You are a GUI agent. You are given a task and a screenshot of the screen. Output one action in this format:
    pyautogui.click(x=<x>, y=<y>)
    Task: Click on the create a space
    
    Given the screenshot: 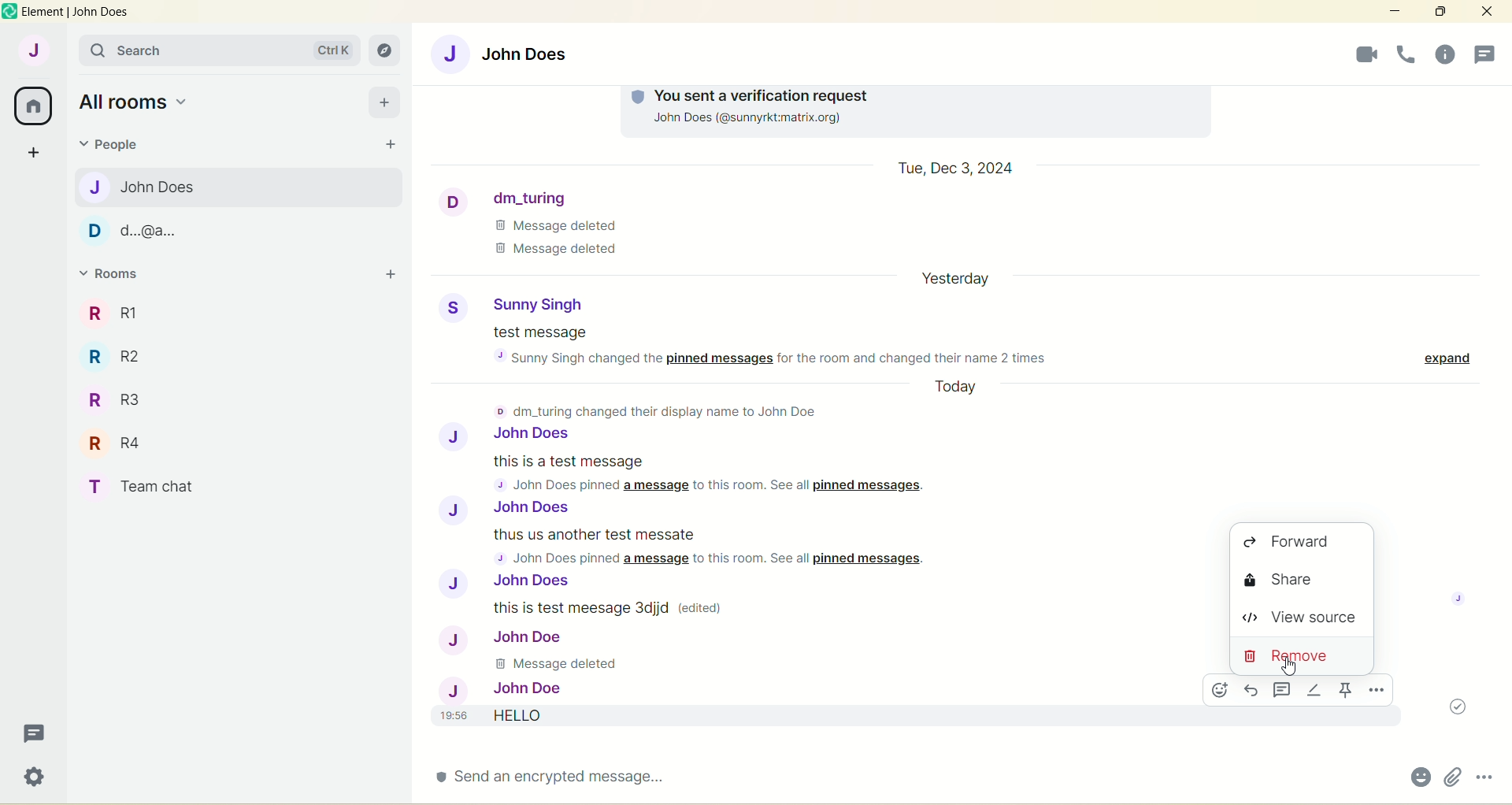 What is the action you would take?
    pyautogui.click(x=35, y=154)
    